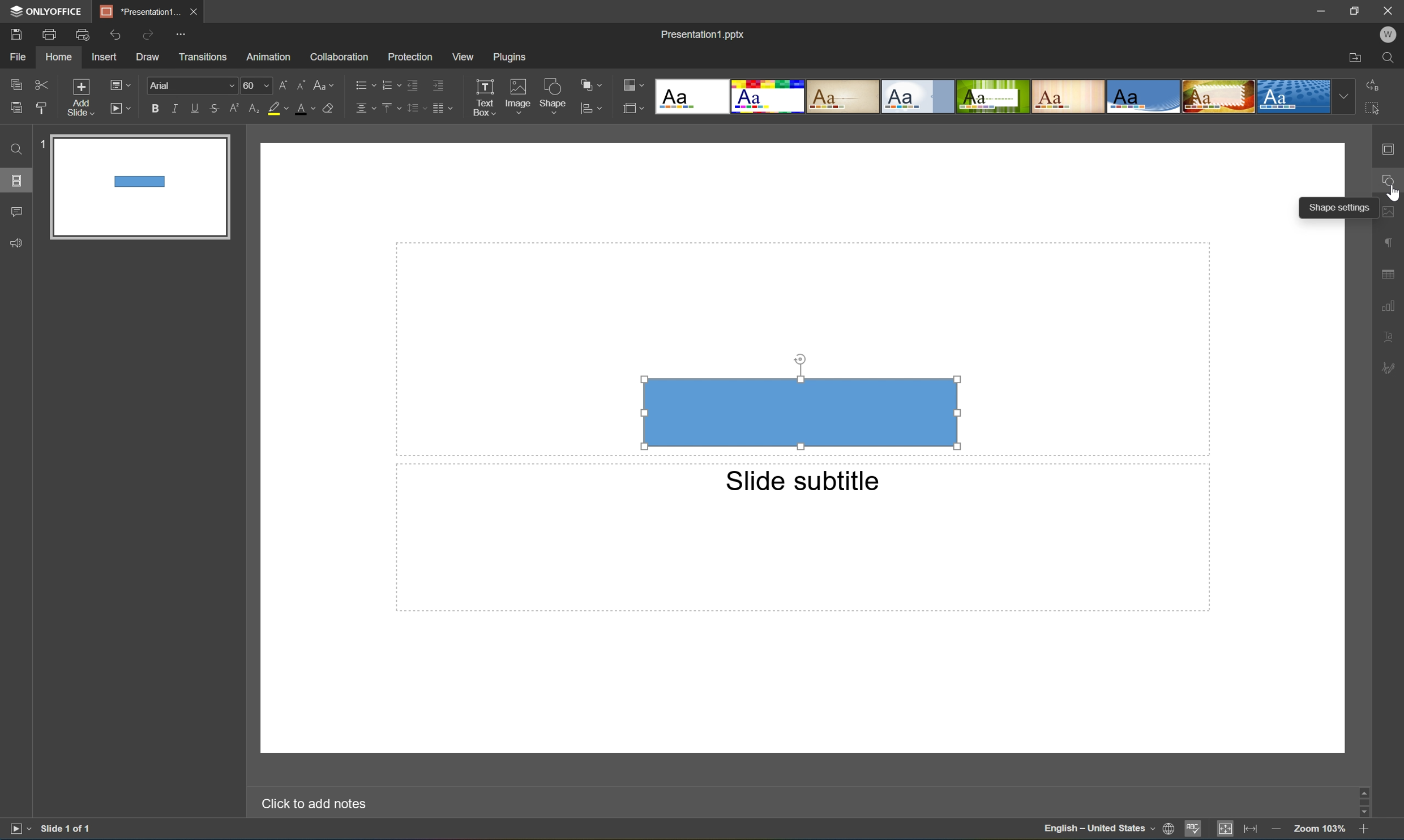  I want to click on Slide 1 of 1, so click(70, 829).